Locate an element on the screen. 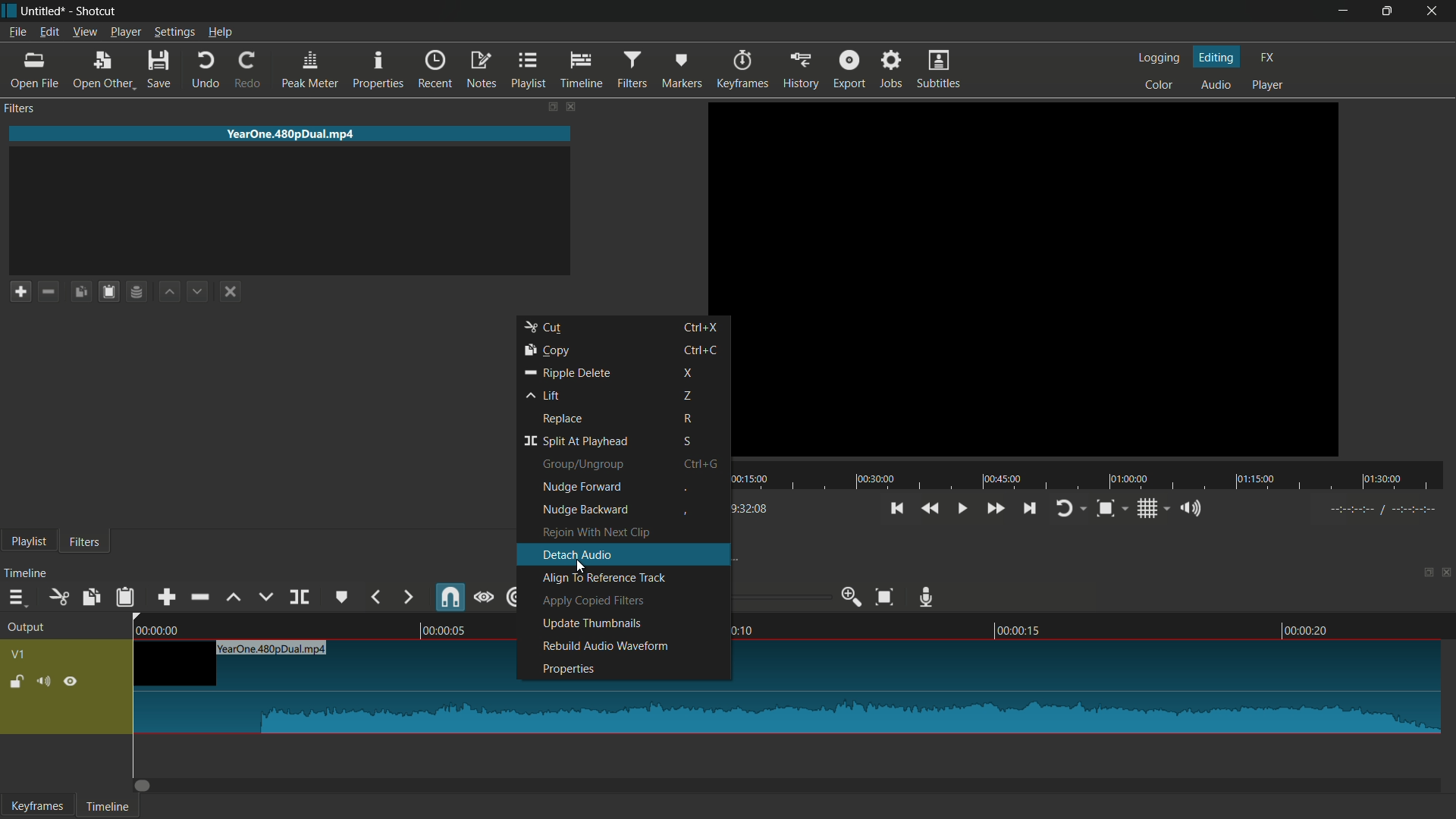 Image resolution: width=1456 pixels, height=819 pixels. group or ungroup is located at coordinates (583, 465).